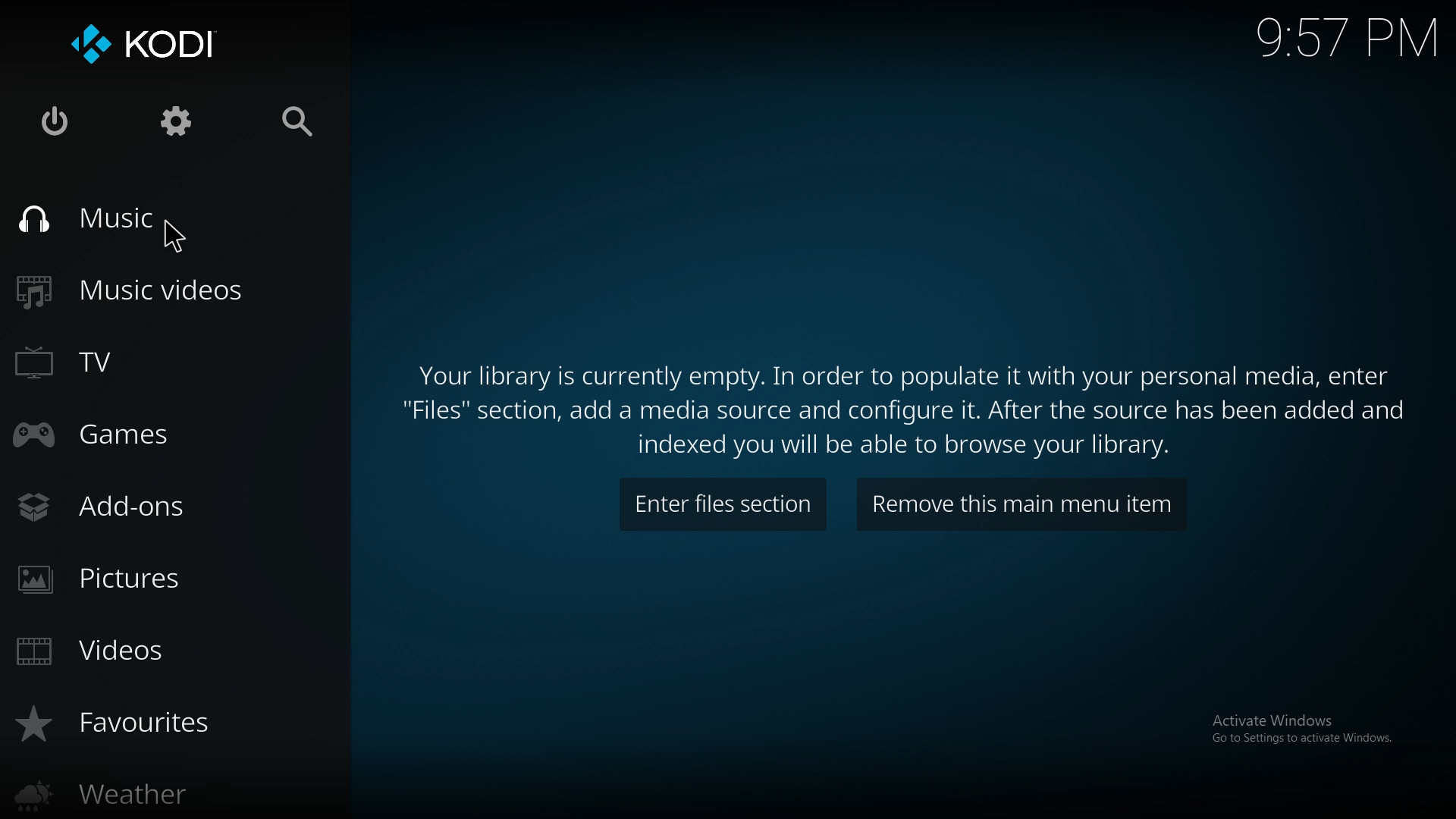 The height and width of the screenshot is (819, 1456). Describe the element at coordinates (153, 364) in the screenshot. I see `tv` at that location.